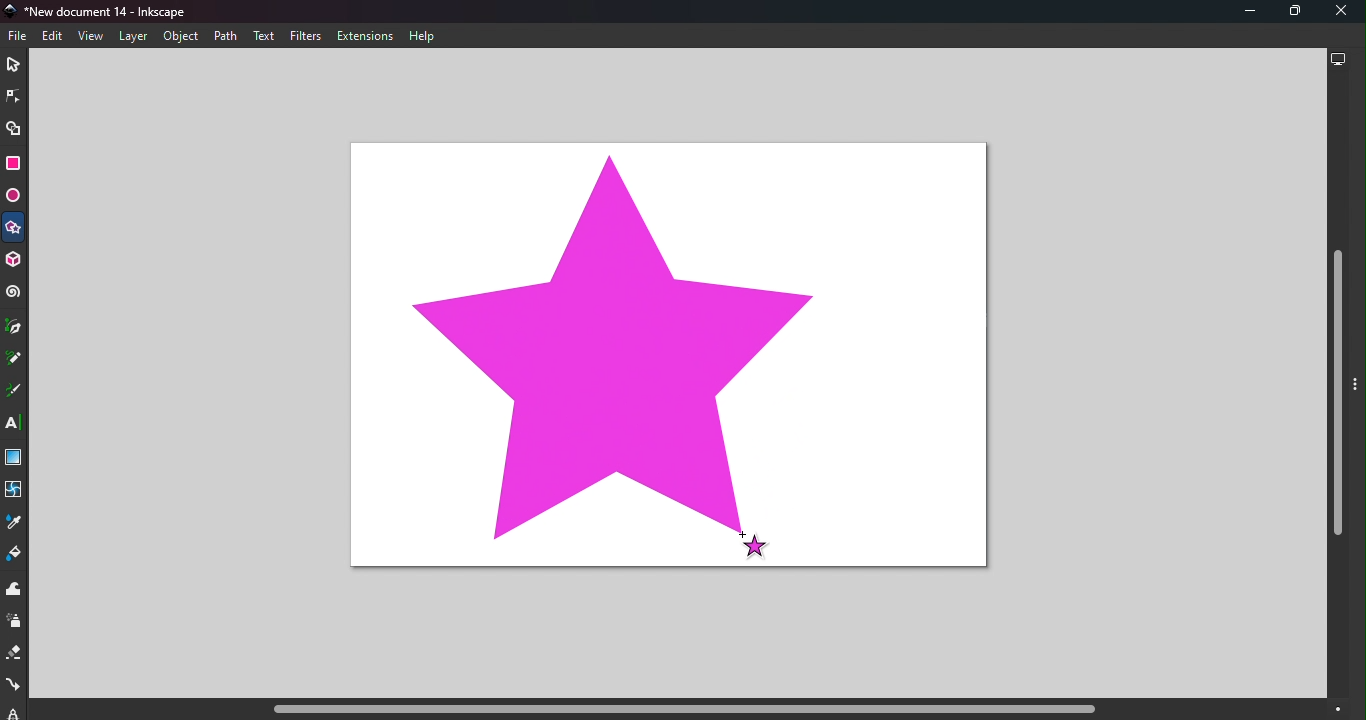  Describe the element at coordinates (104, 11) in the screenshot. I see `Document name` at that location.